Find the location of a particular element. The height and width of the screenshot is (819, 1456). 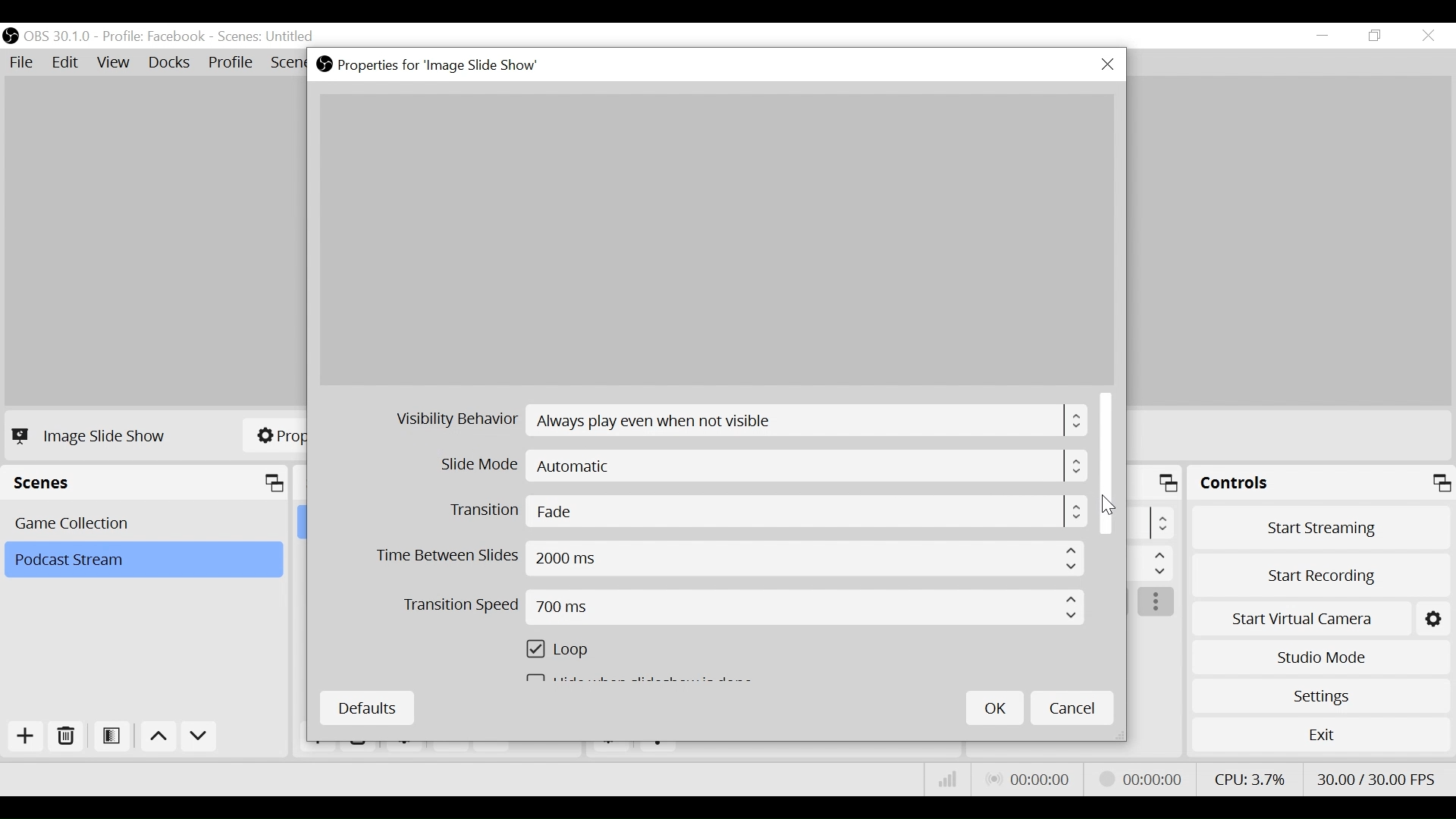

Edit is located at coordinates (67, 63).